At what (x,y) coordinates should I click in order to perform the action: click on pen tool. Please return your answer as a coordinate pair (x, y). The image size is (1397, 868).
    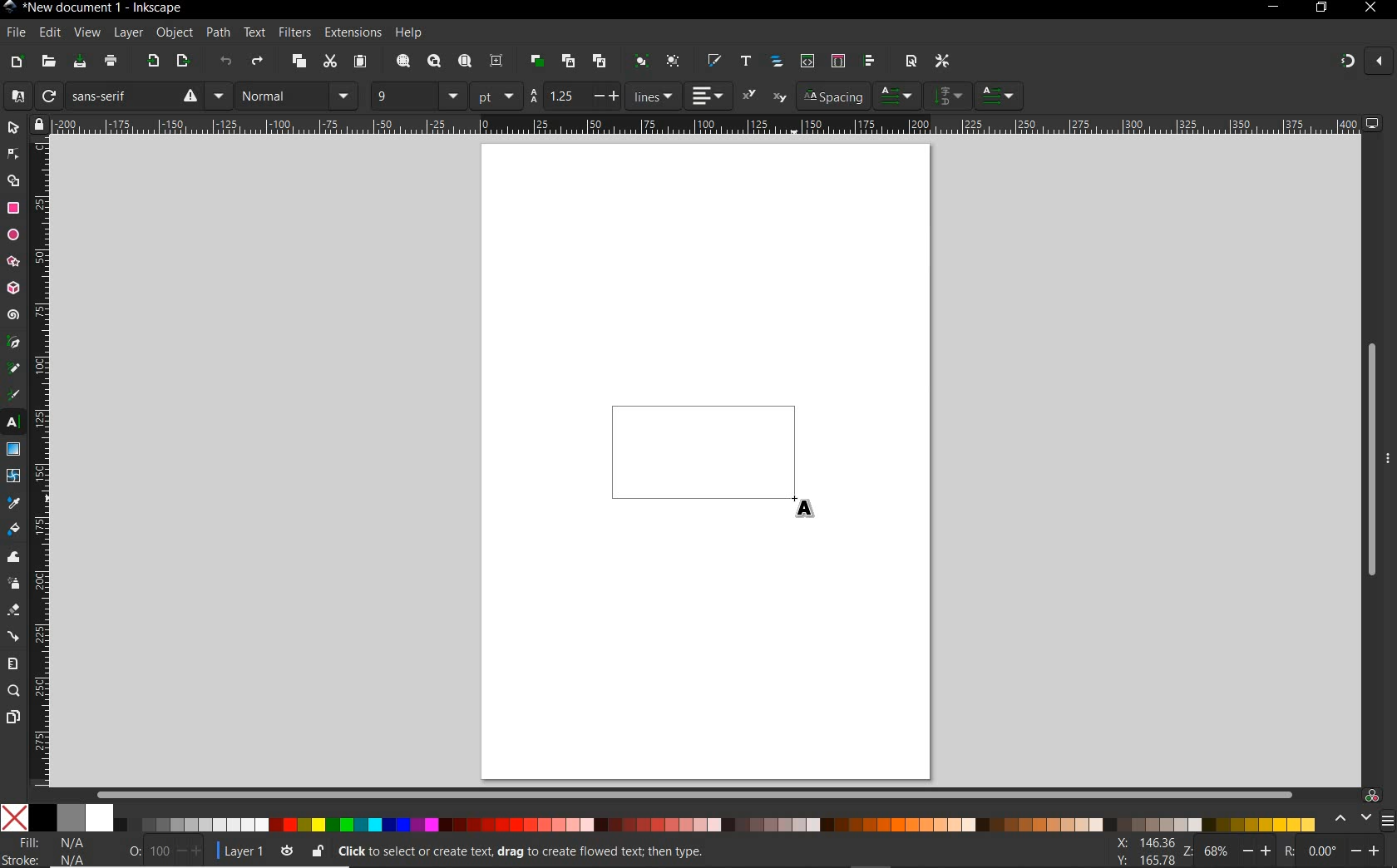
    Looking at the image, I should click on (14, 342).